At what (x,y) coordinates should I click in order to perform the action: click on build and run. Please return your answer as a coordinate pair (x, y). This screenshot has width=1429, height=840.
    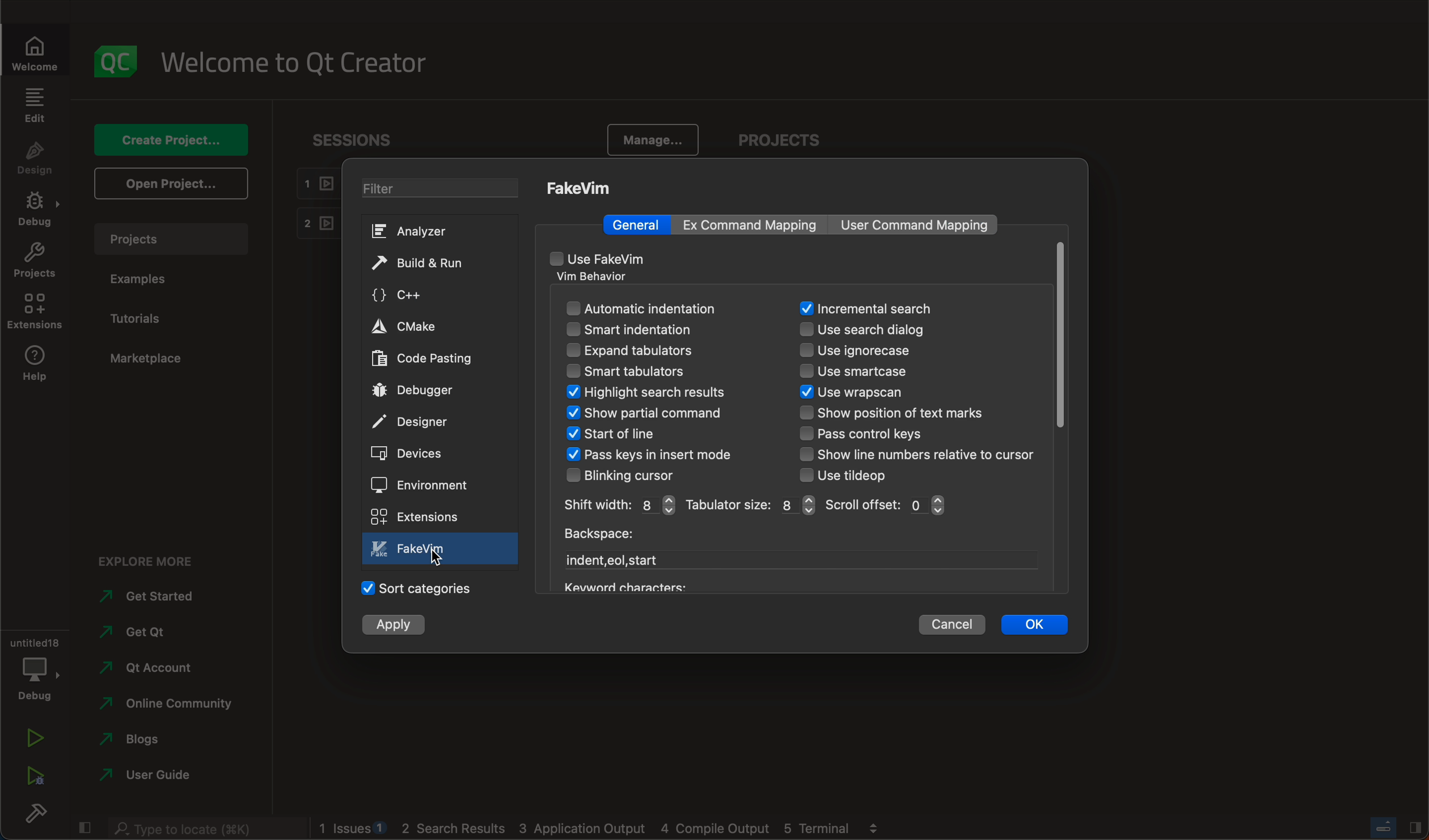
    Looking at the image, I should click on (426, 264).